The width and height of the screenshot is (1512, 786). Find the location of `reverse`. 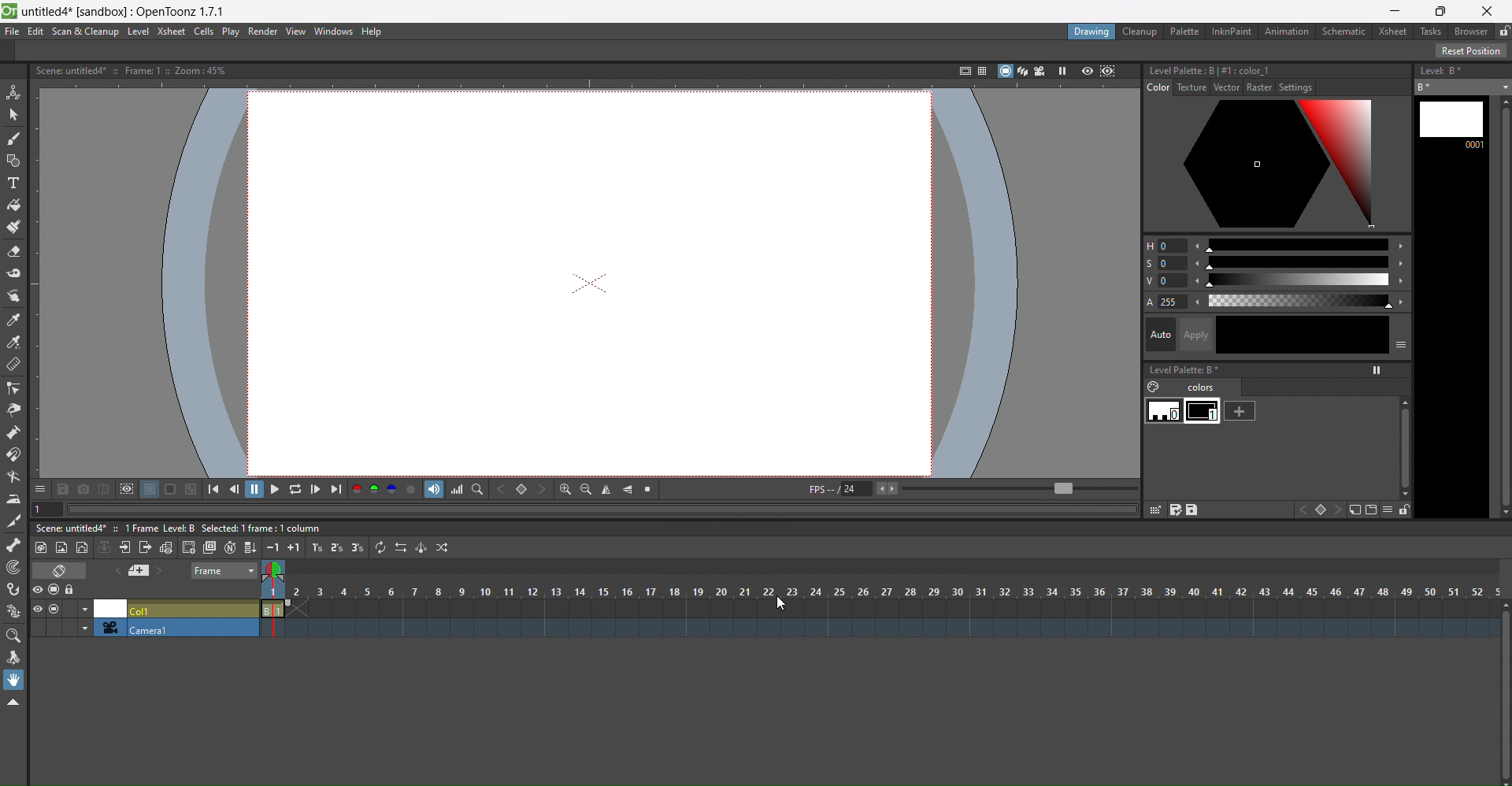

reverse is located at coordinates (400, 547).